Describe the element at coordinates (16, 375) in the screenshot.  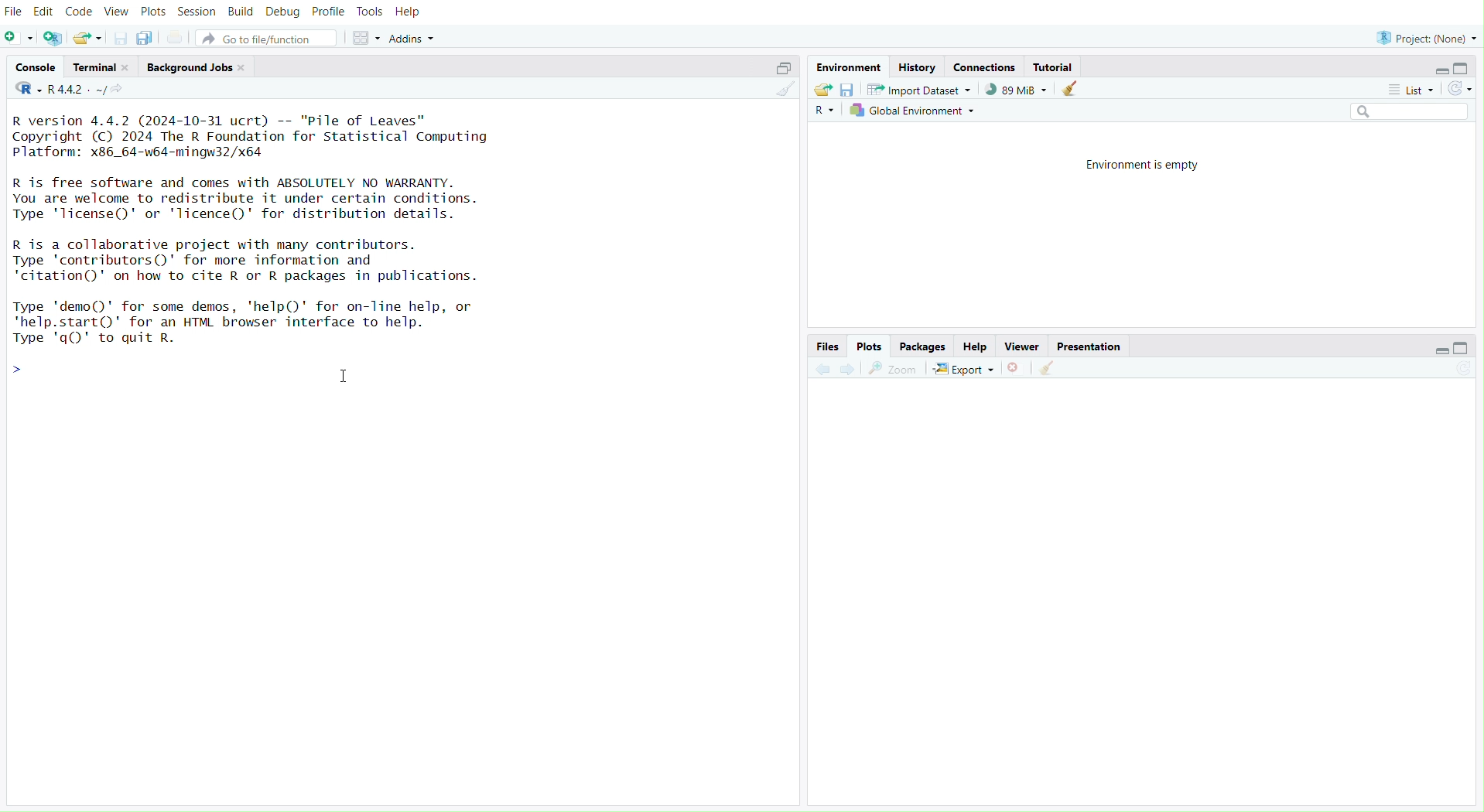
I see `Prompt cursor` at that location.